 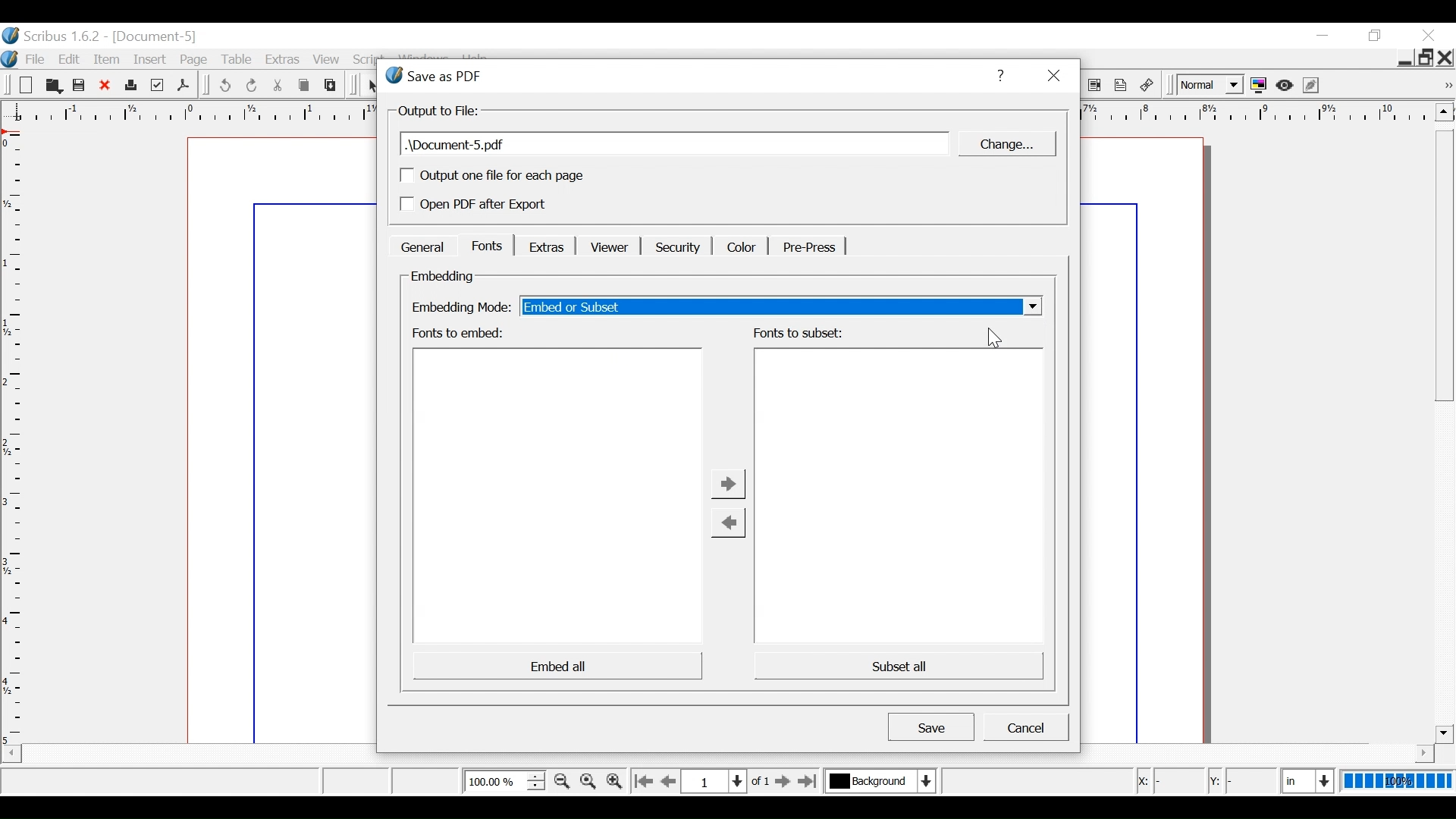 What do you see at coordinates (1398, 780) in the screenshot?
I see `100%` at bounding box center [1398, 780].